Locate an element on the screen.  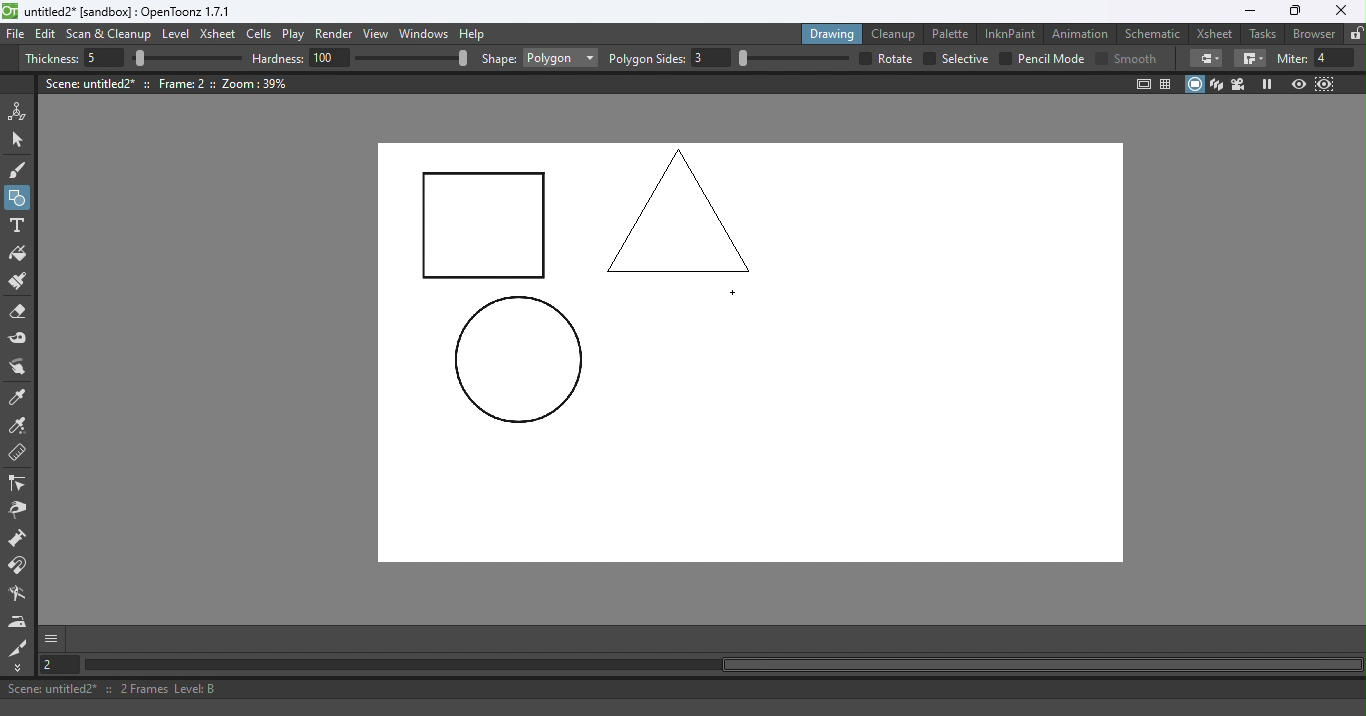
Edit is located at coordinates (48, 34).